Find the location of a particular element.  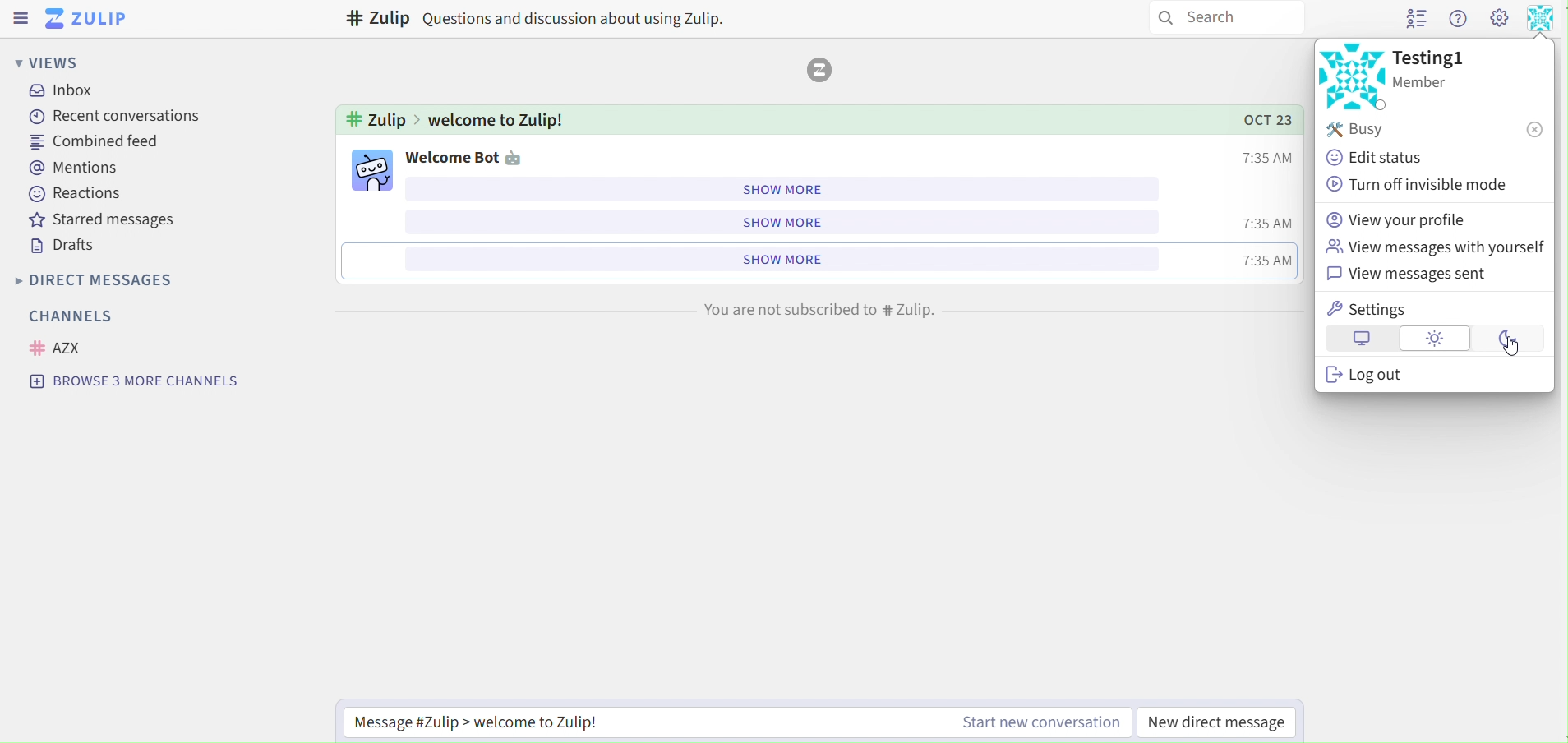

Zulip welcome to Zulip ! is located at coordinates (454, 118).